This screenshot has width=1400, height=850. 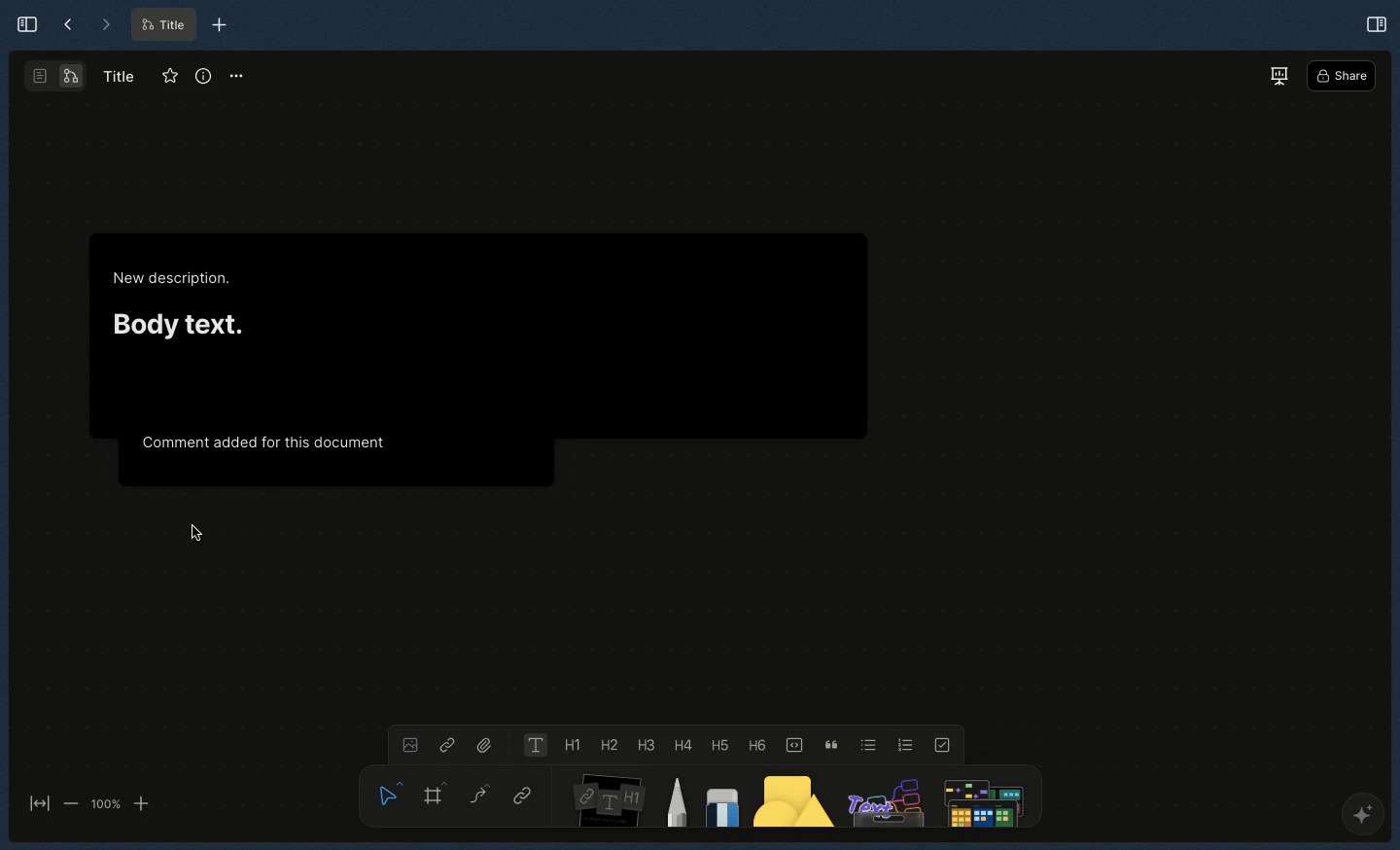 What do you see at coordinates (792, 743) in the screenshot?
I see `Code block` at bounding box center [792, 743].